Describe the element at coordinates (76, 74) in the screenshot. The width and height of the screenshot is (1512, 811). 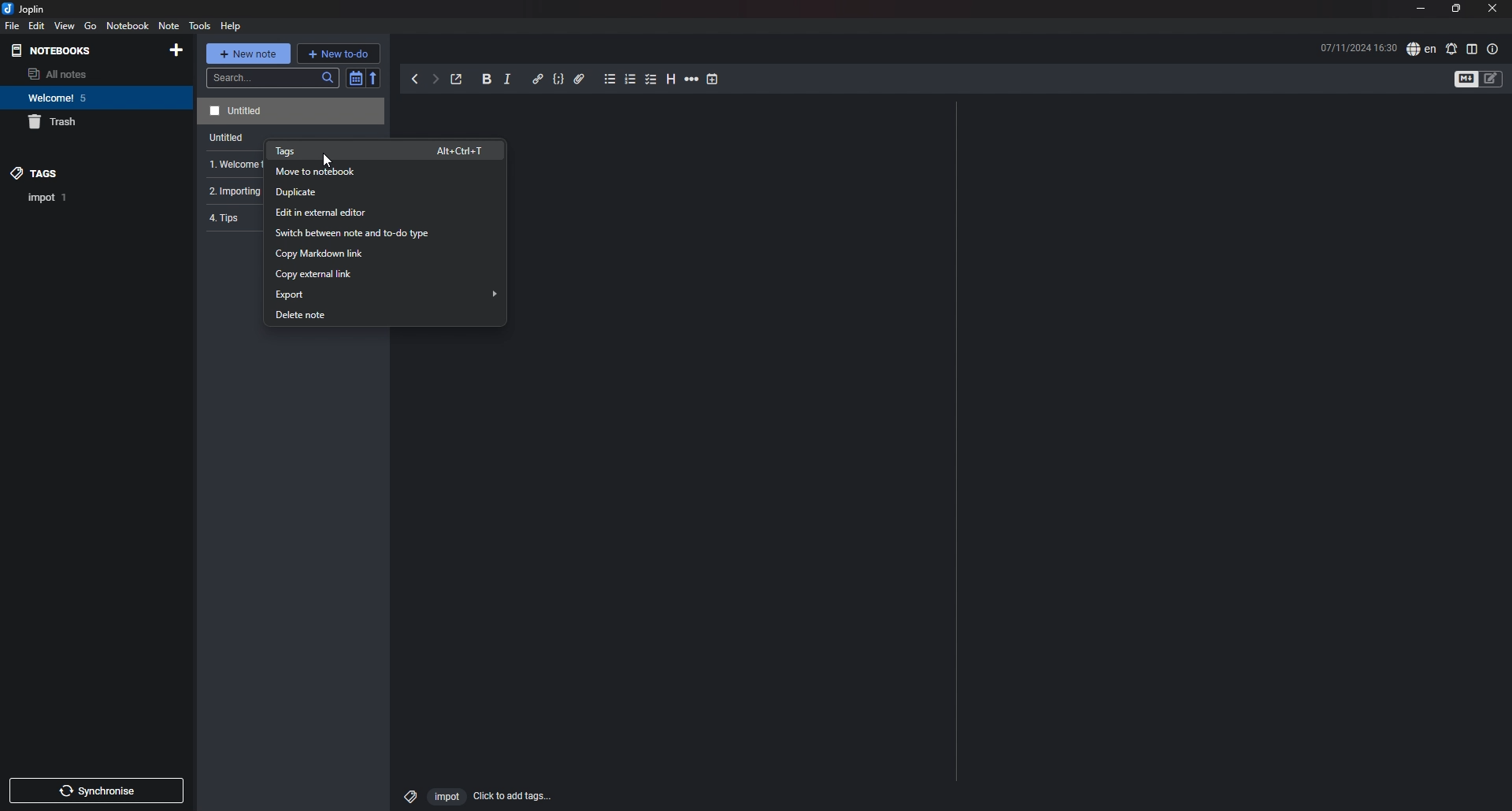
I see `all notes` at that location.